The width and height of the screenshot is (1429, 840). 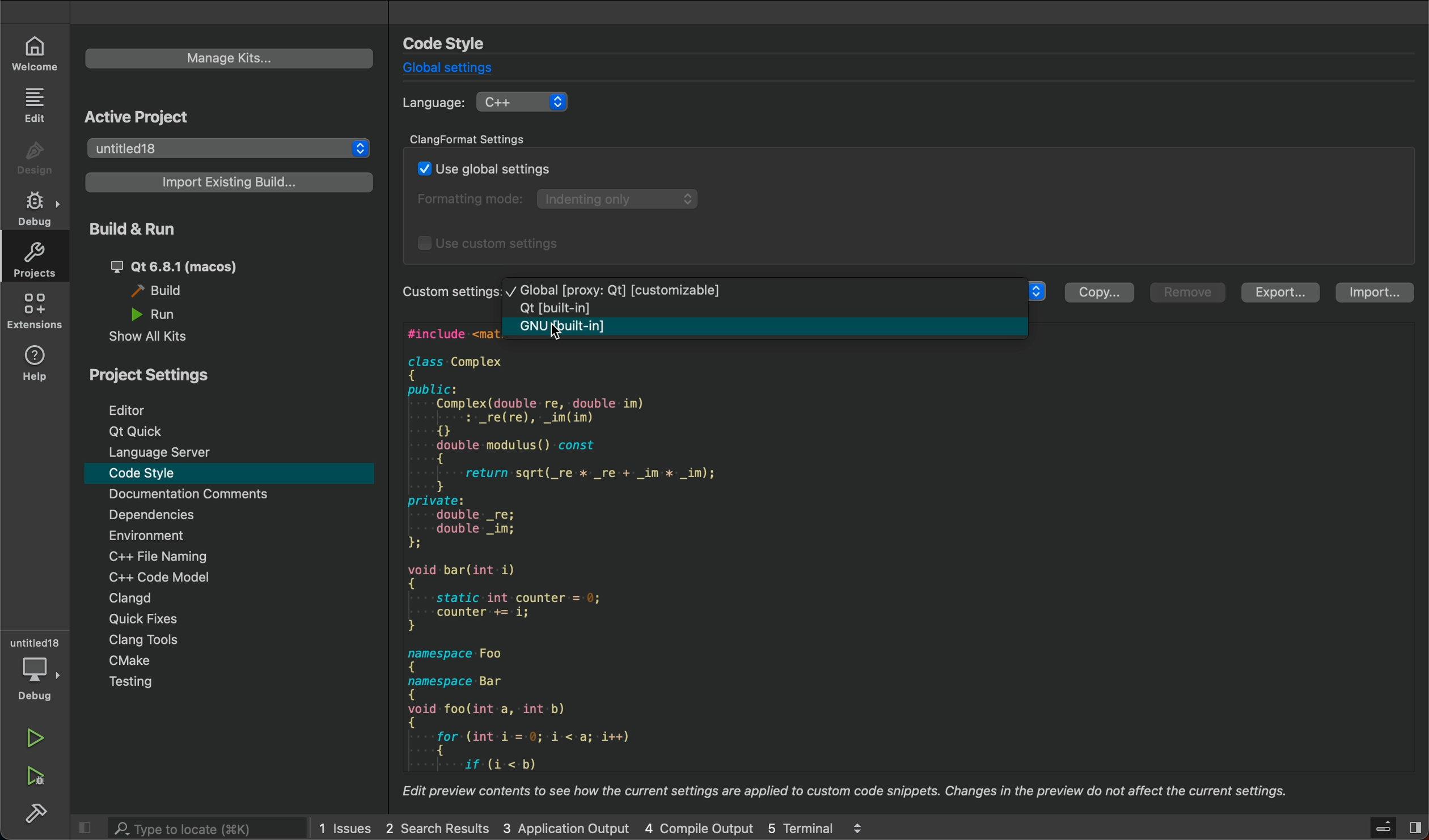 What do you see at coordinates (157, 338) in the screenshot?
I see `show all kits` at bounding box center [157, 338].